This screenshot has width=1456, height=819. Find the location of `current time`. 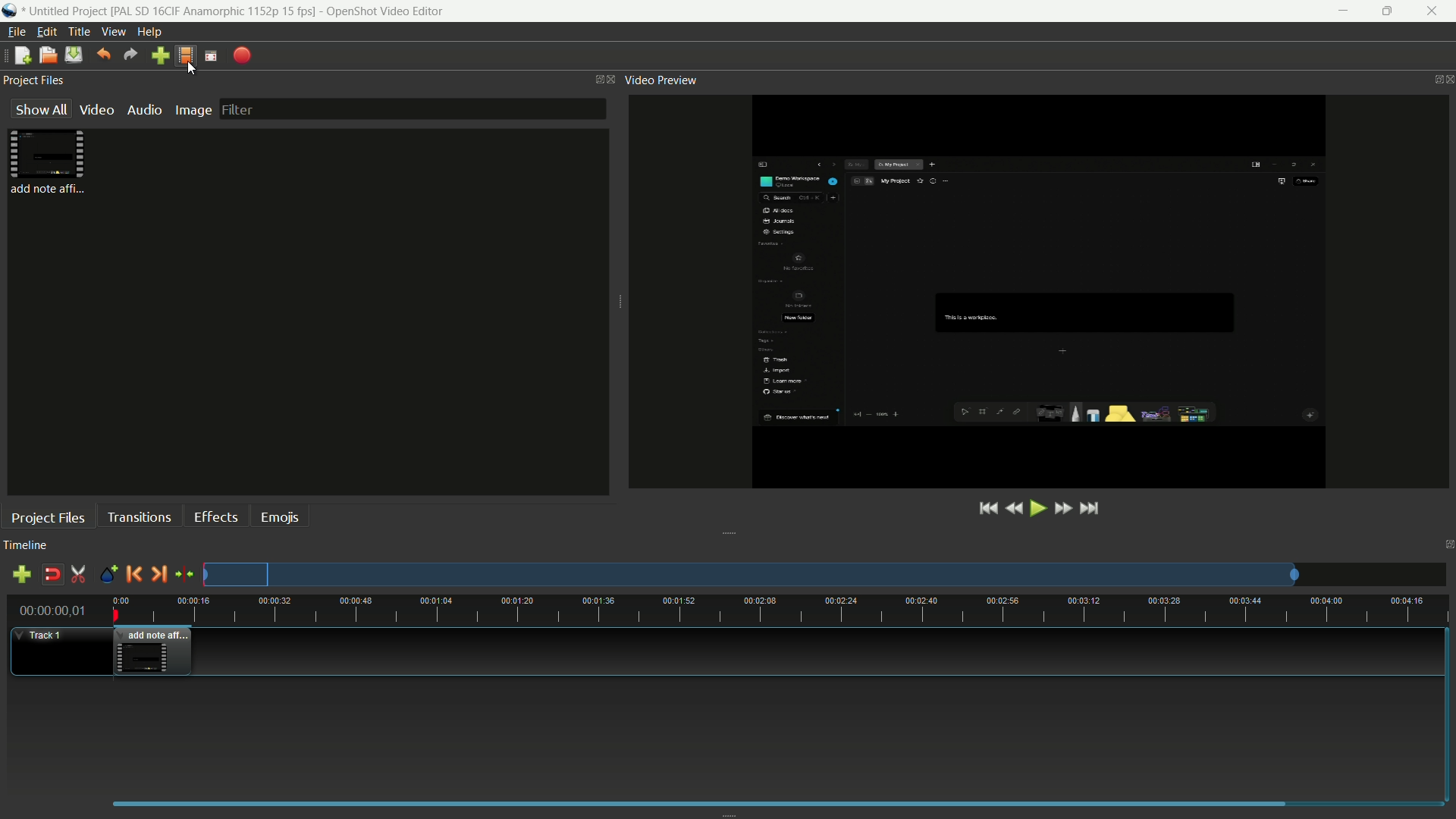

current time is located at coordinates (49, 612).